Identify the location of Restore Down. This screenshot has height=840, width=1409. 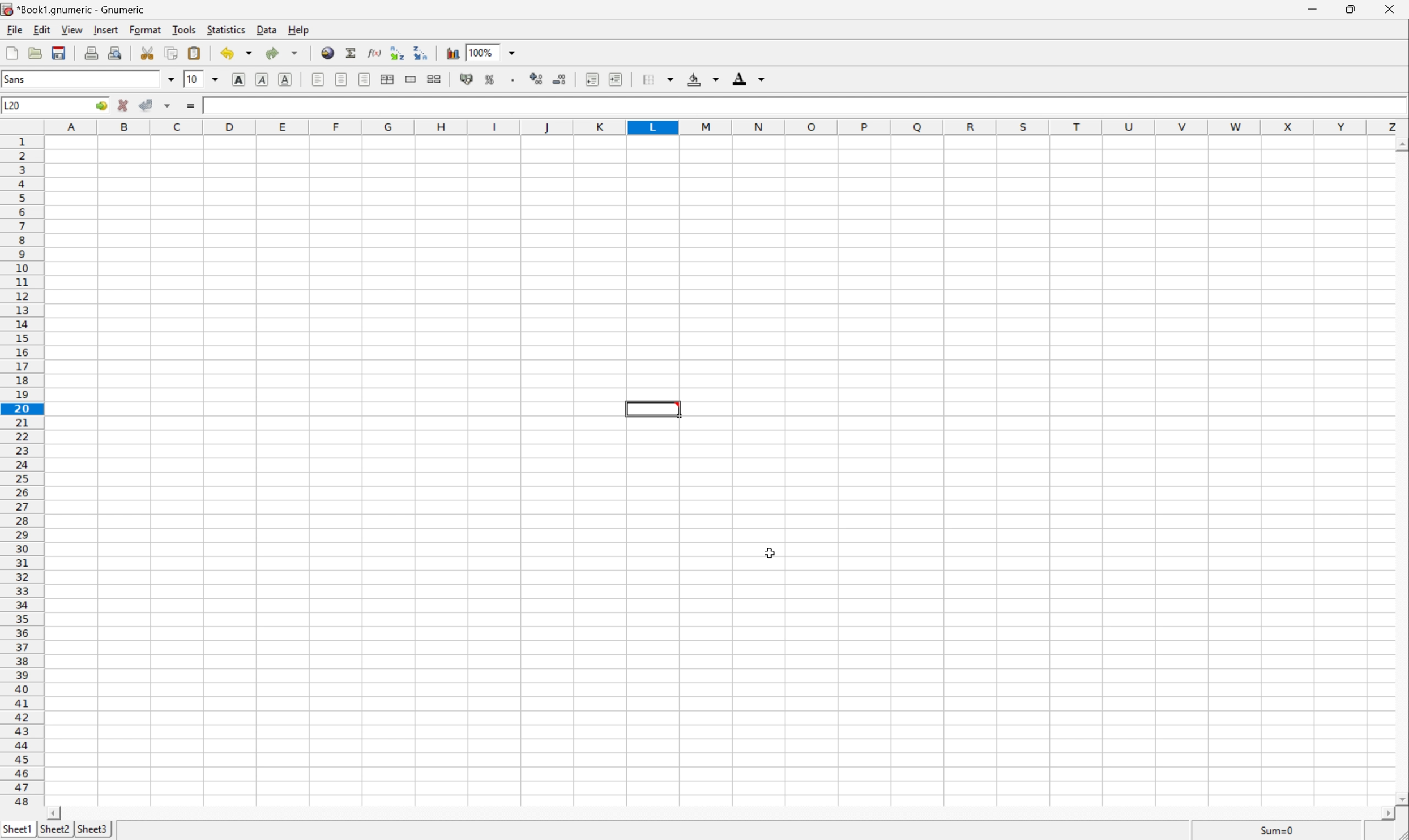
(1347, 10).